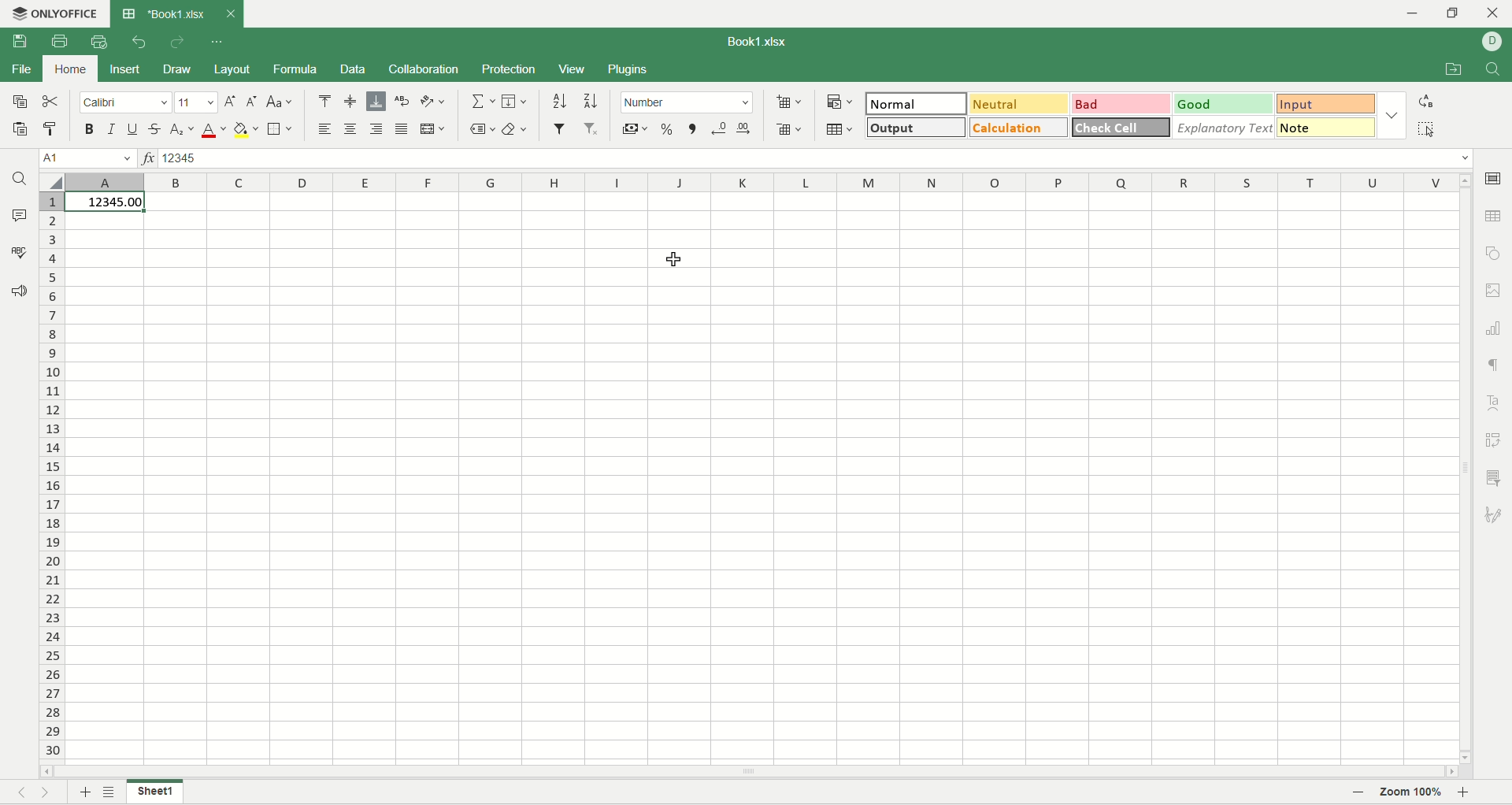 This screenshot has height=805, width=1512. What do you see at coordinates (1463, 793) in the screenshot?
I see `zoom in` at bounding box center [1463, 793].